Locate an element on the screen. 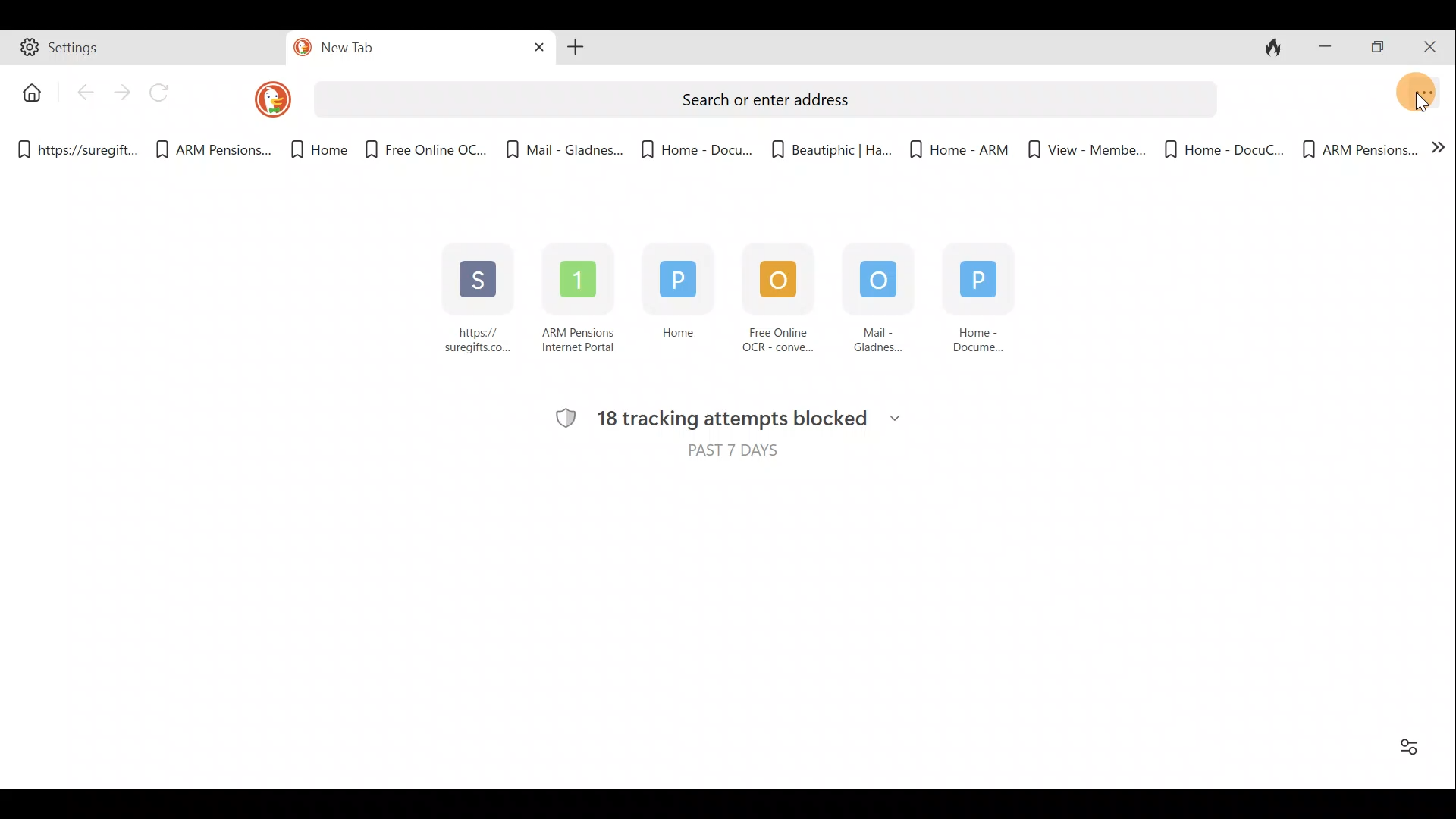  Home -
Docume... is located at coordinates (987, 308).